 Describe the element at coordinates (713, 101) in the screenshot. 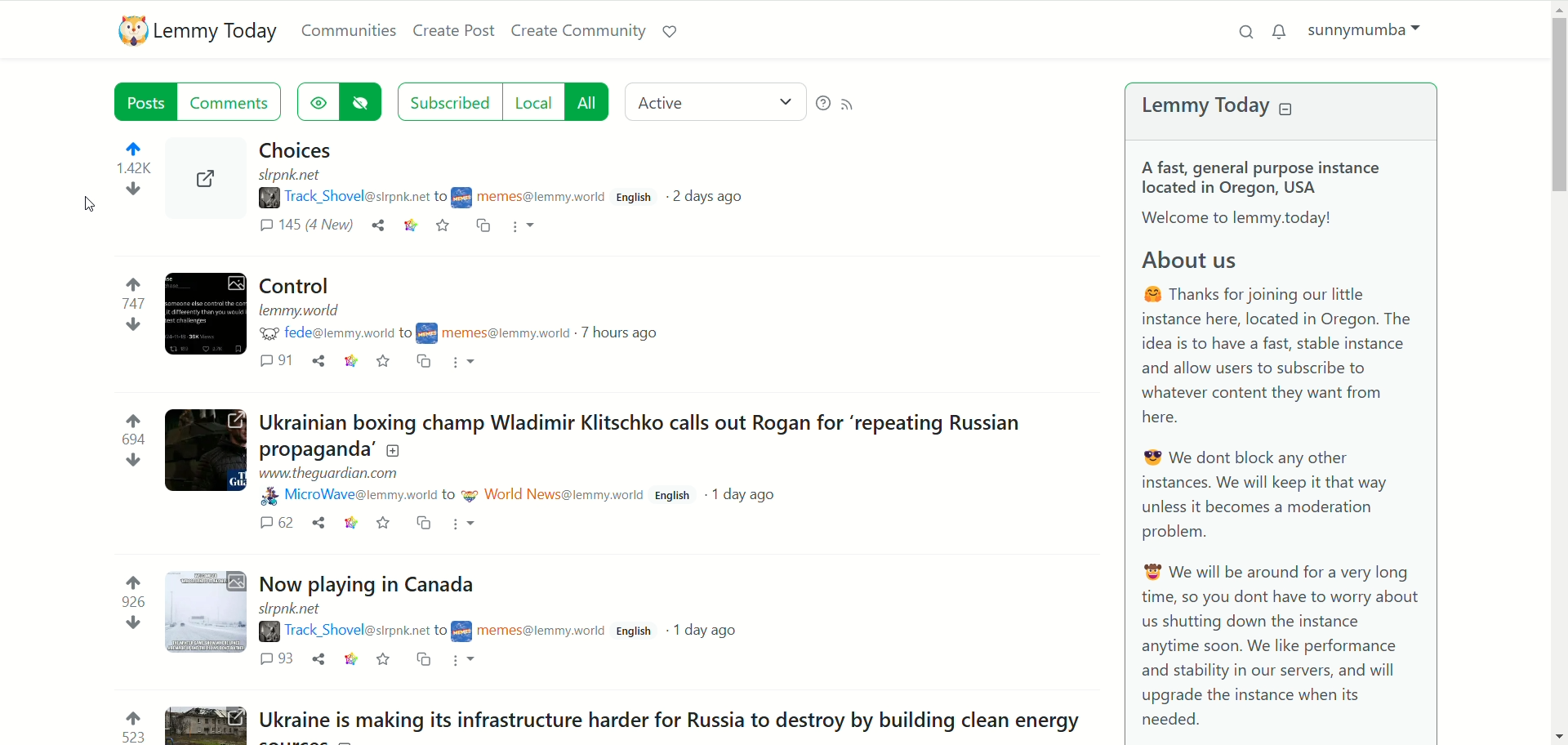

I see `active` at that location.